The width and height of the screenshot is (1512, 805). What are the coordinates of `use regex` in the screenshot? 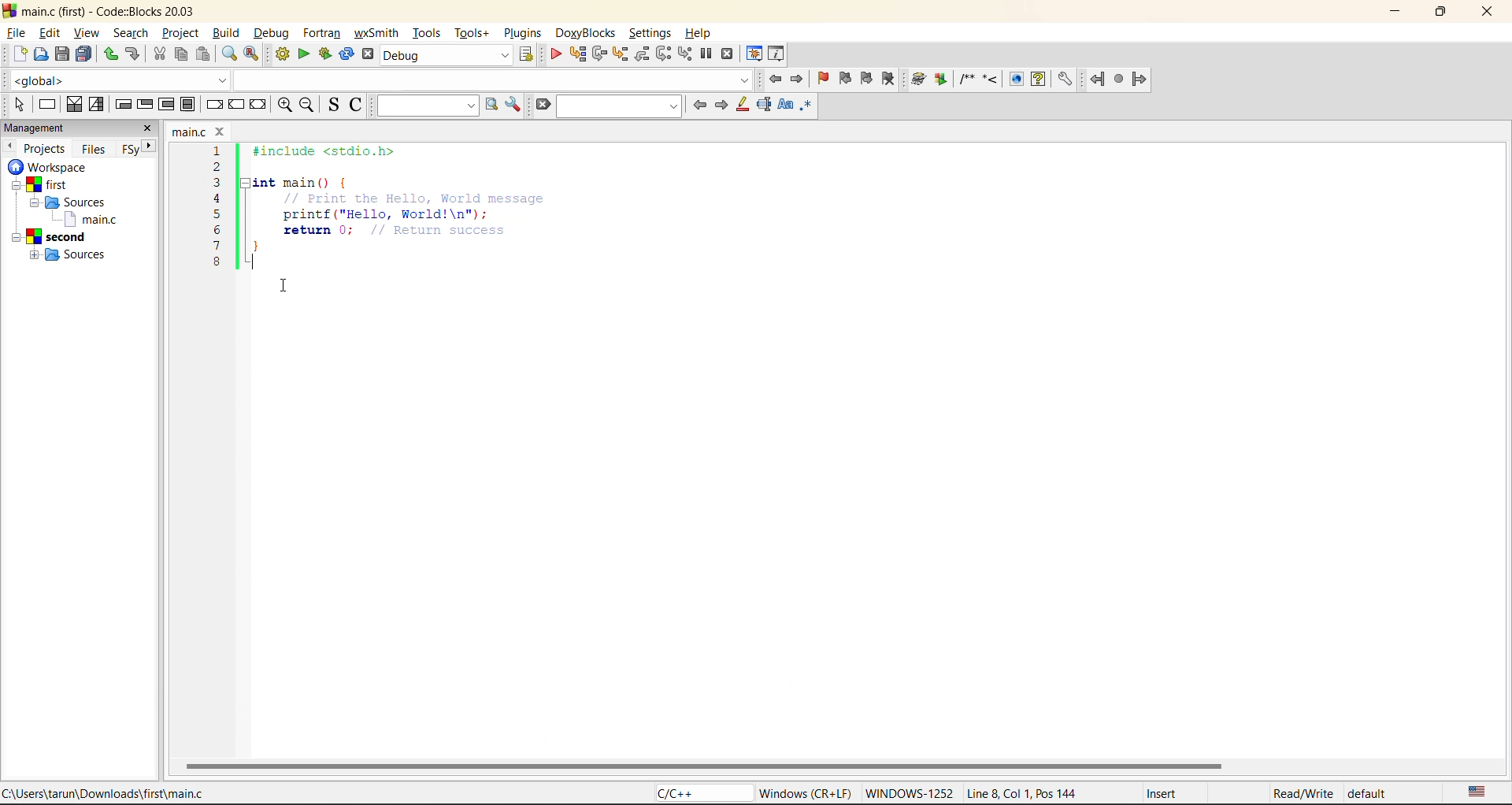 It's located at (808, 106).